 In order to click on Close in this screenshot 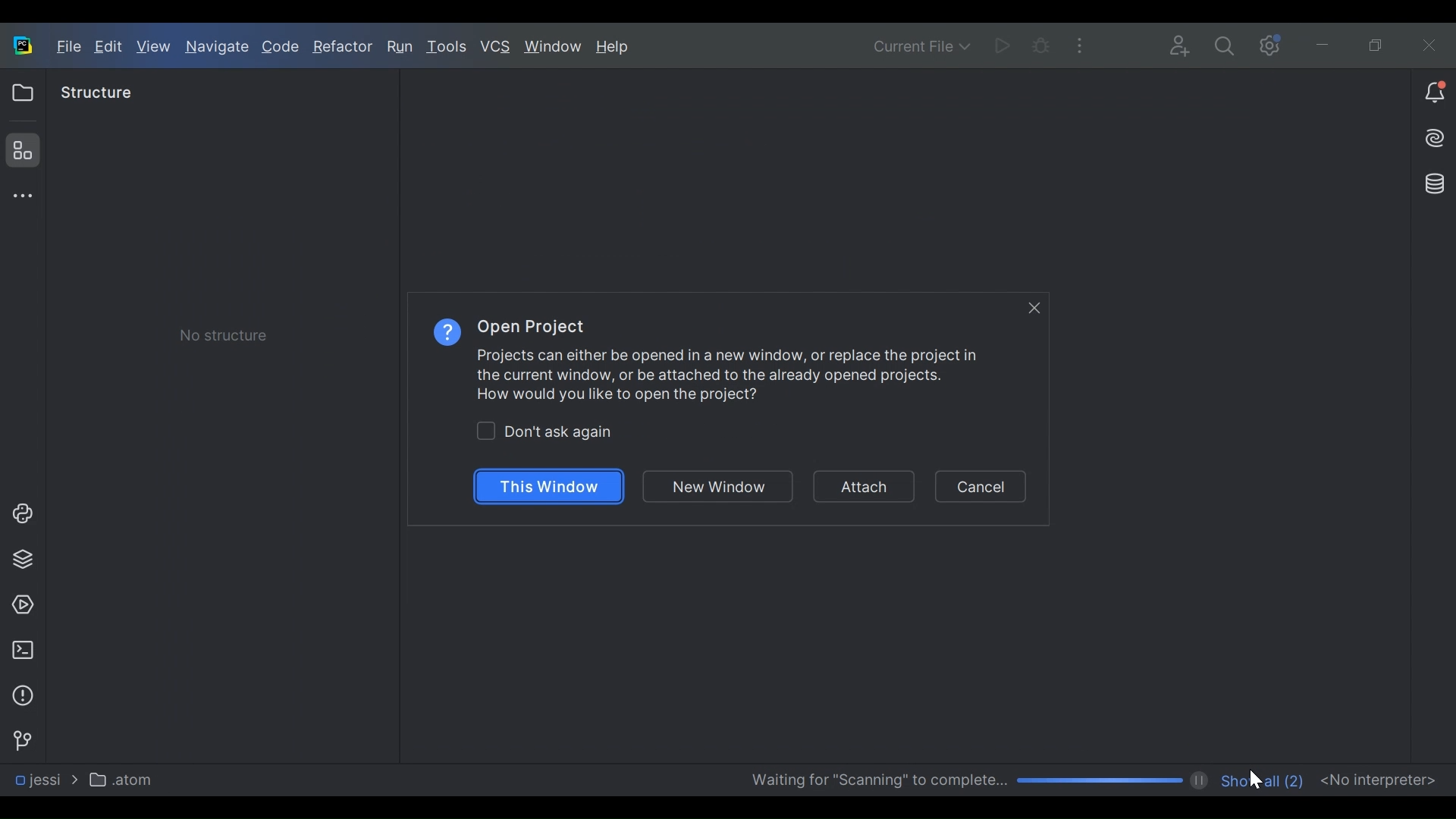, I will do `click(1429, 44)`.